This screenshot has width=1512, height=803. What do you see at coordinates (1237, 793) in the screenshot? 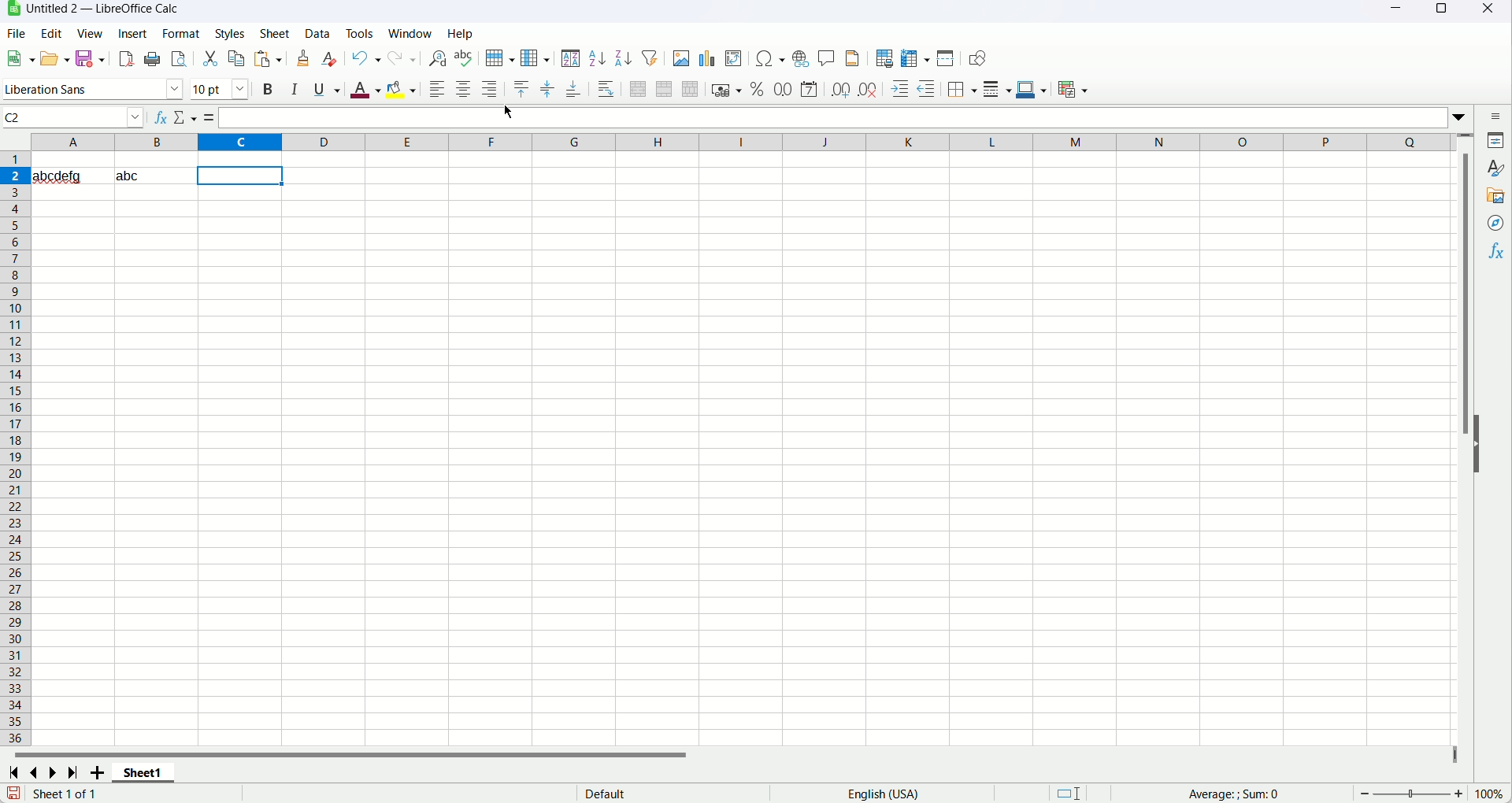
I see `average:; sum:0` at bounding box center [1237, 793].